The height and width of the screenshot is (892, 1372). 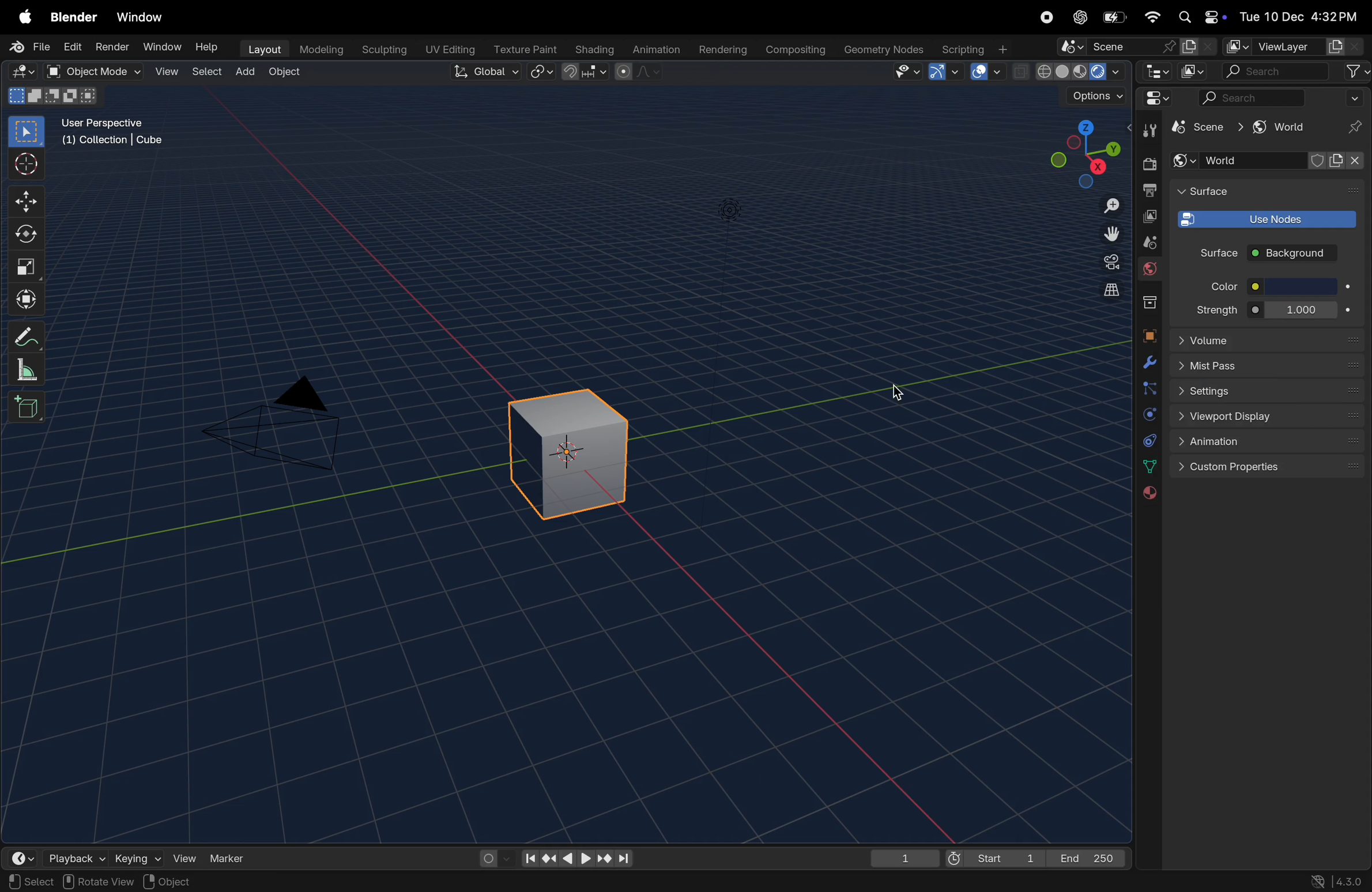 I want to click on image, so click(x=1195, y=71).